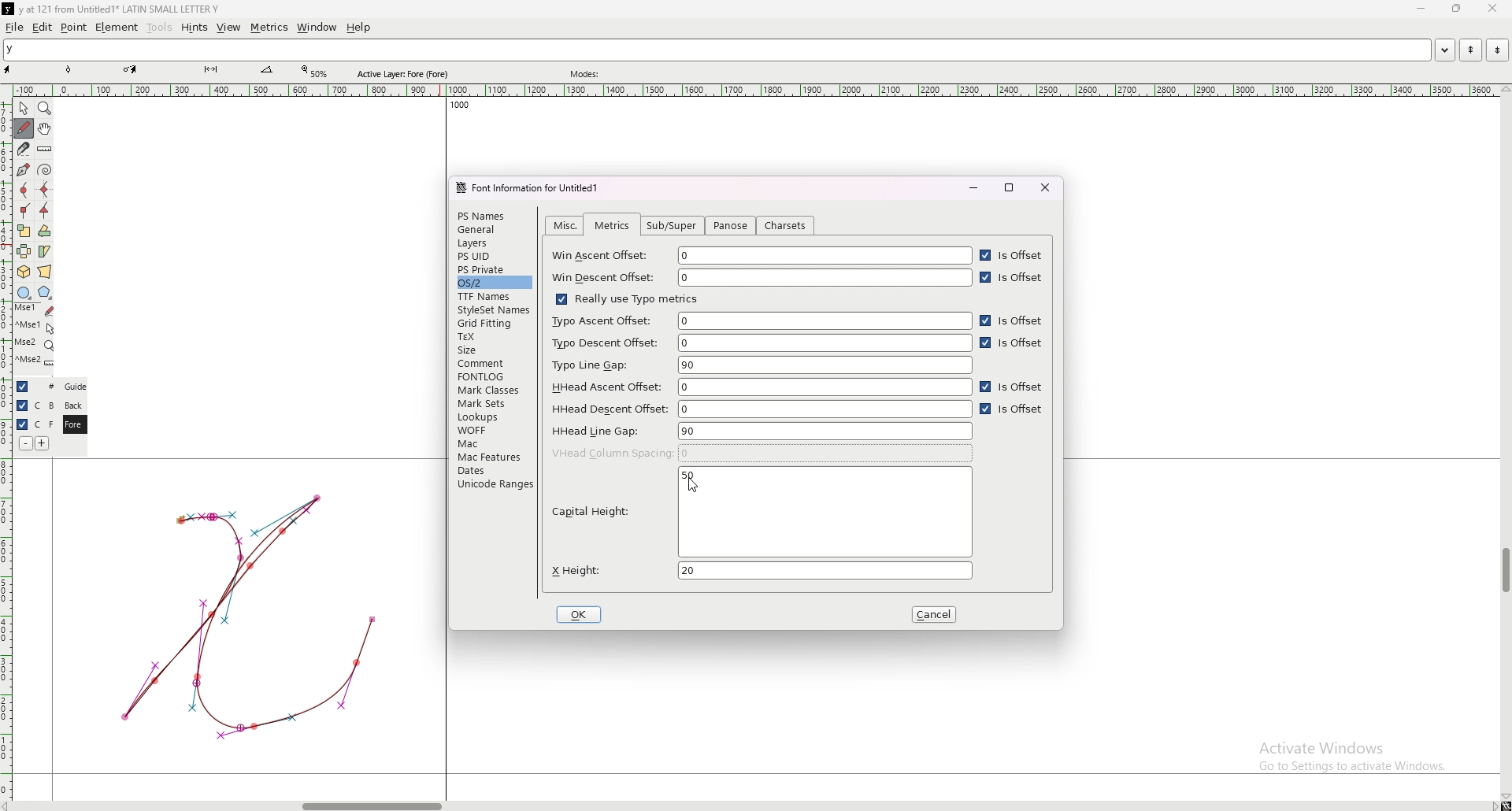 The width and height of the screenshot is (1512, 811). Describe the element at coordinates (23, 387) in the screenshot. I see `hide layer` at that location.